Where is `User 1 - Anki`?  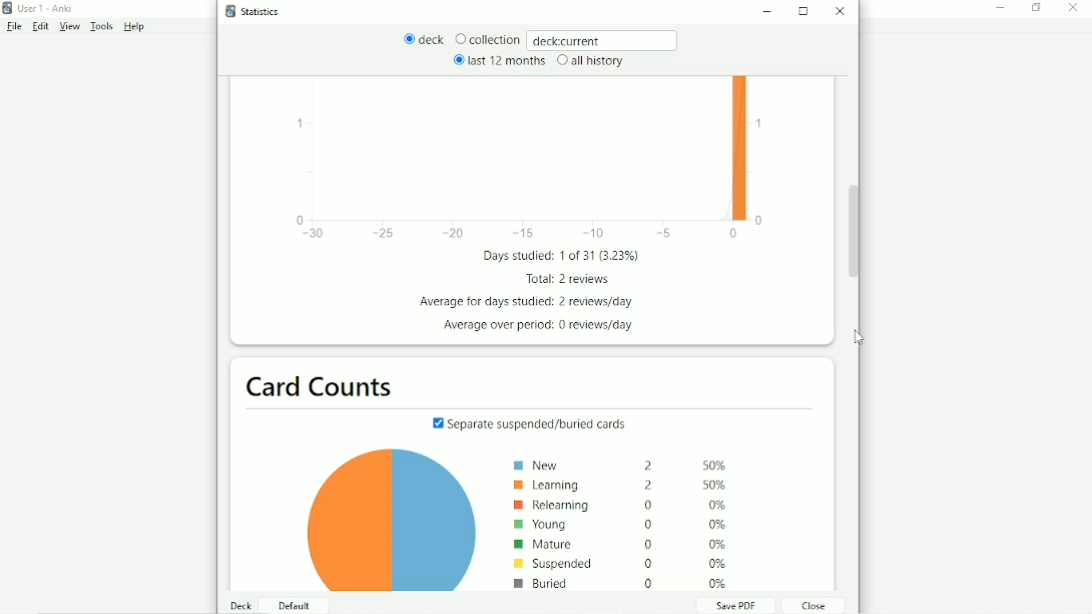 User 1 - Anki is located at coordinates (45, 8).